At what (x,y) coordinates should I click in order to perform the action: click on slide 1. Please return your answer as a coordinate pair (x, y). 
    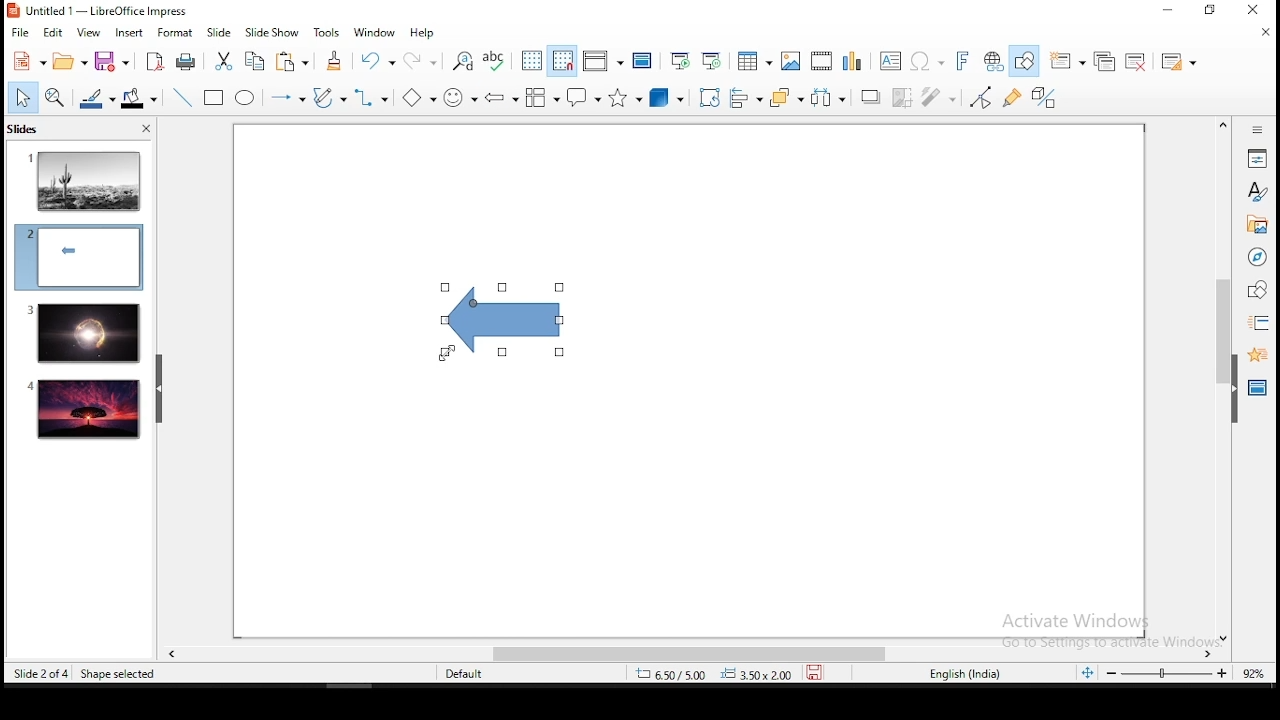
    Looking at the image, I should click on (85, 180).